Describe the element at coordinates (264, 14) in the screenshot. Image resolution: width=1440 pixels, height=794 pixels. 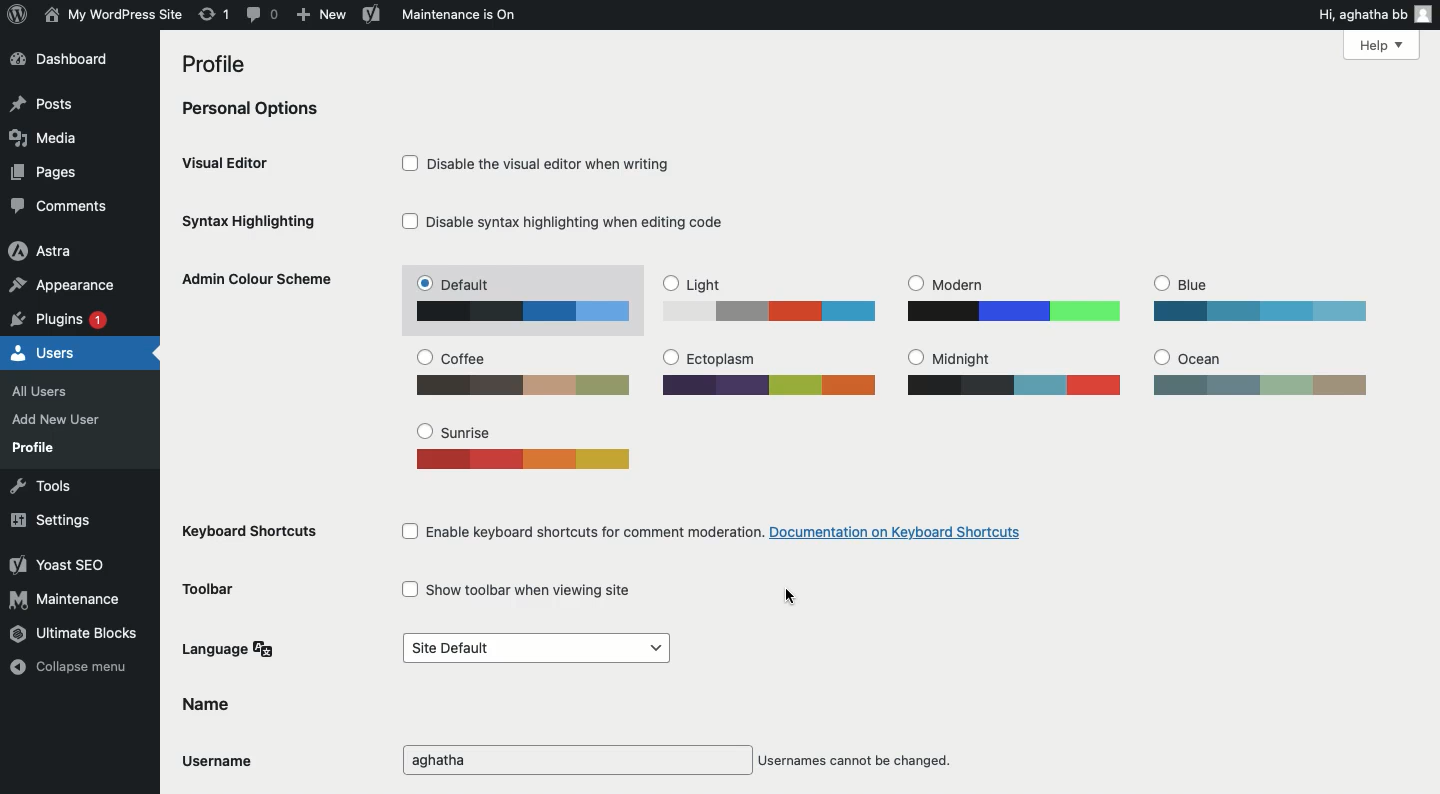
I see `Comment` at that location.